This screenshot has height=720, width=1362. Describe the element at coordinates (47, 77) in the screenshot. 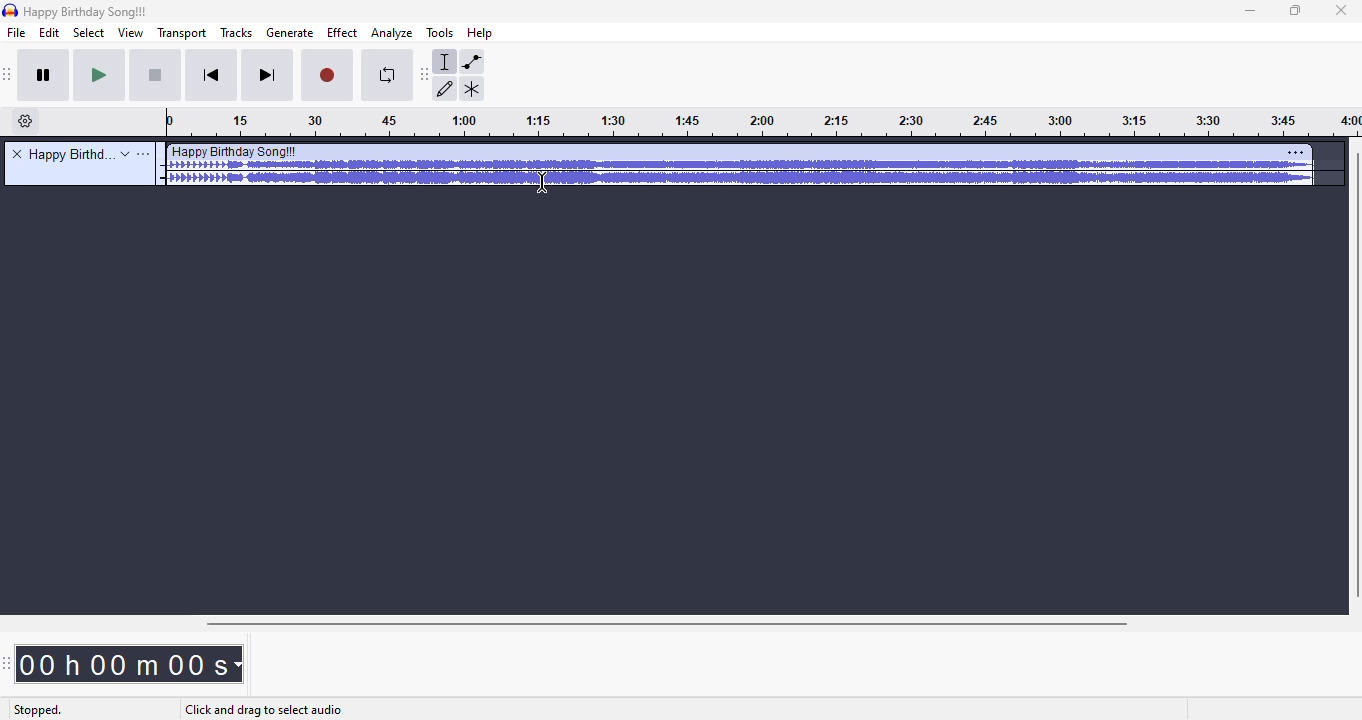

I see `pause` at that location.